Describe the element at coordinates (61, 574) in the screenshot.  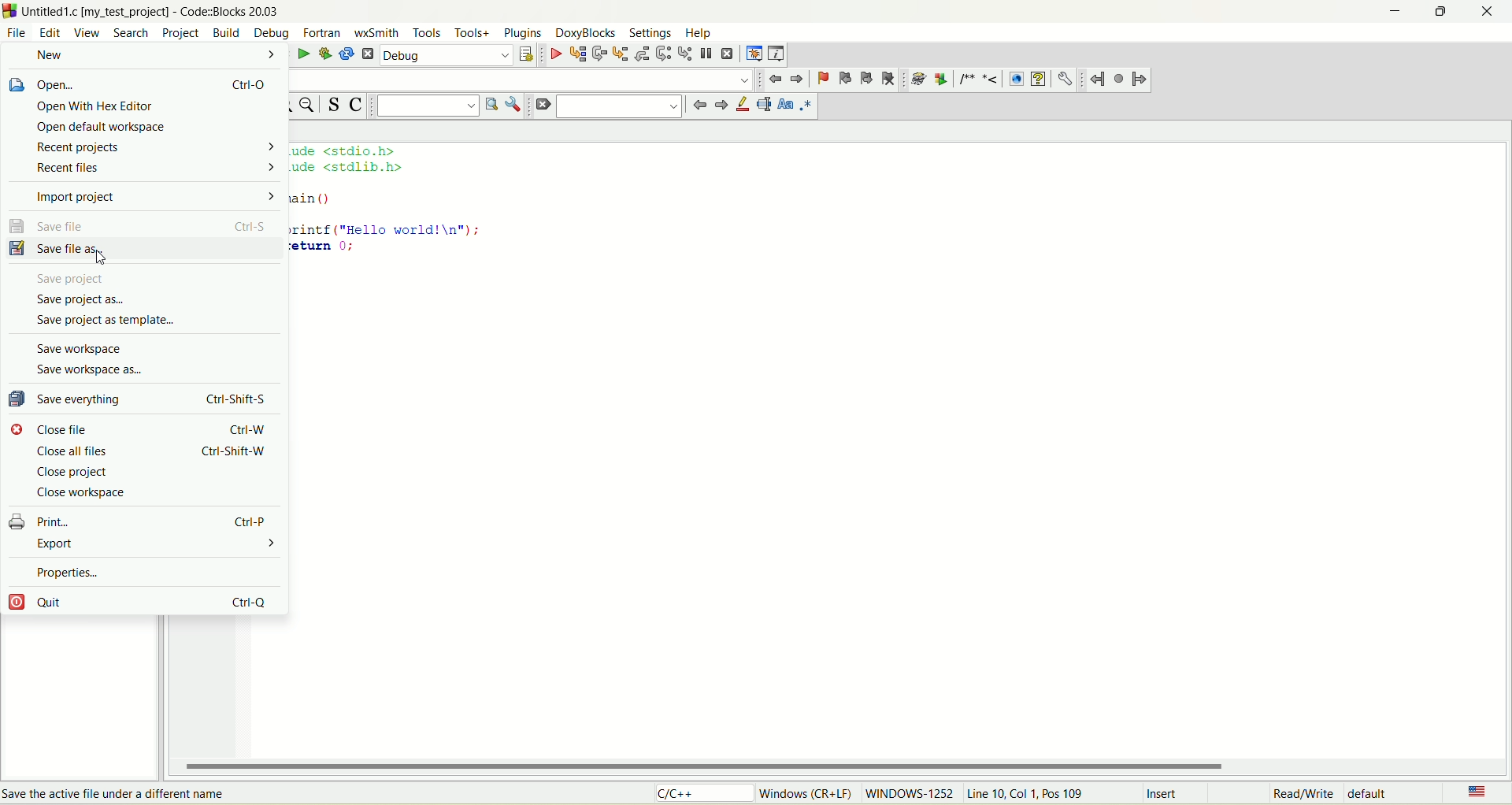
I see `properties` at that location.